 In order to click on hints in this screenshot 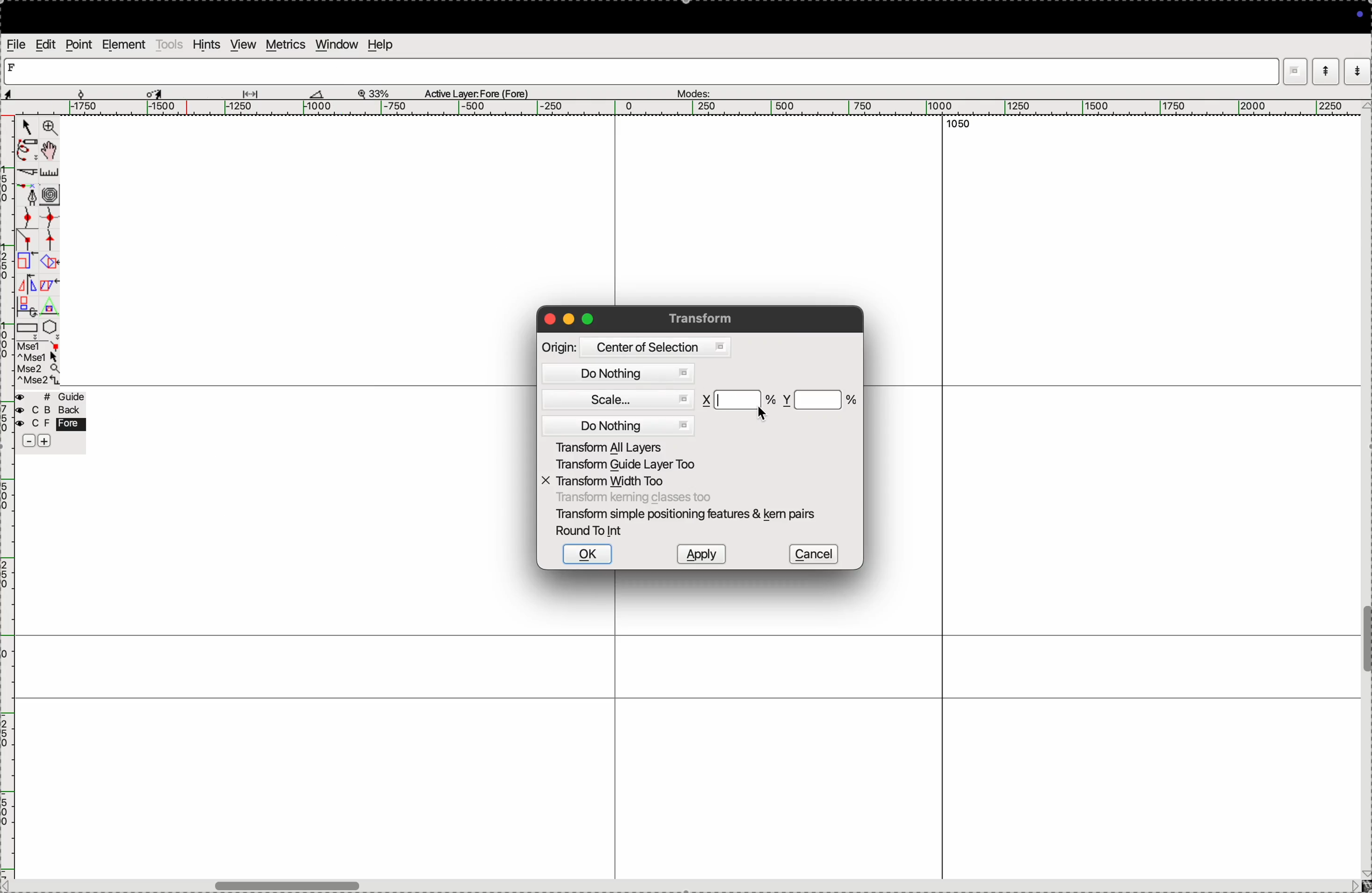, I will do `click(207, 44)`.